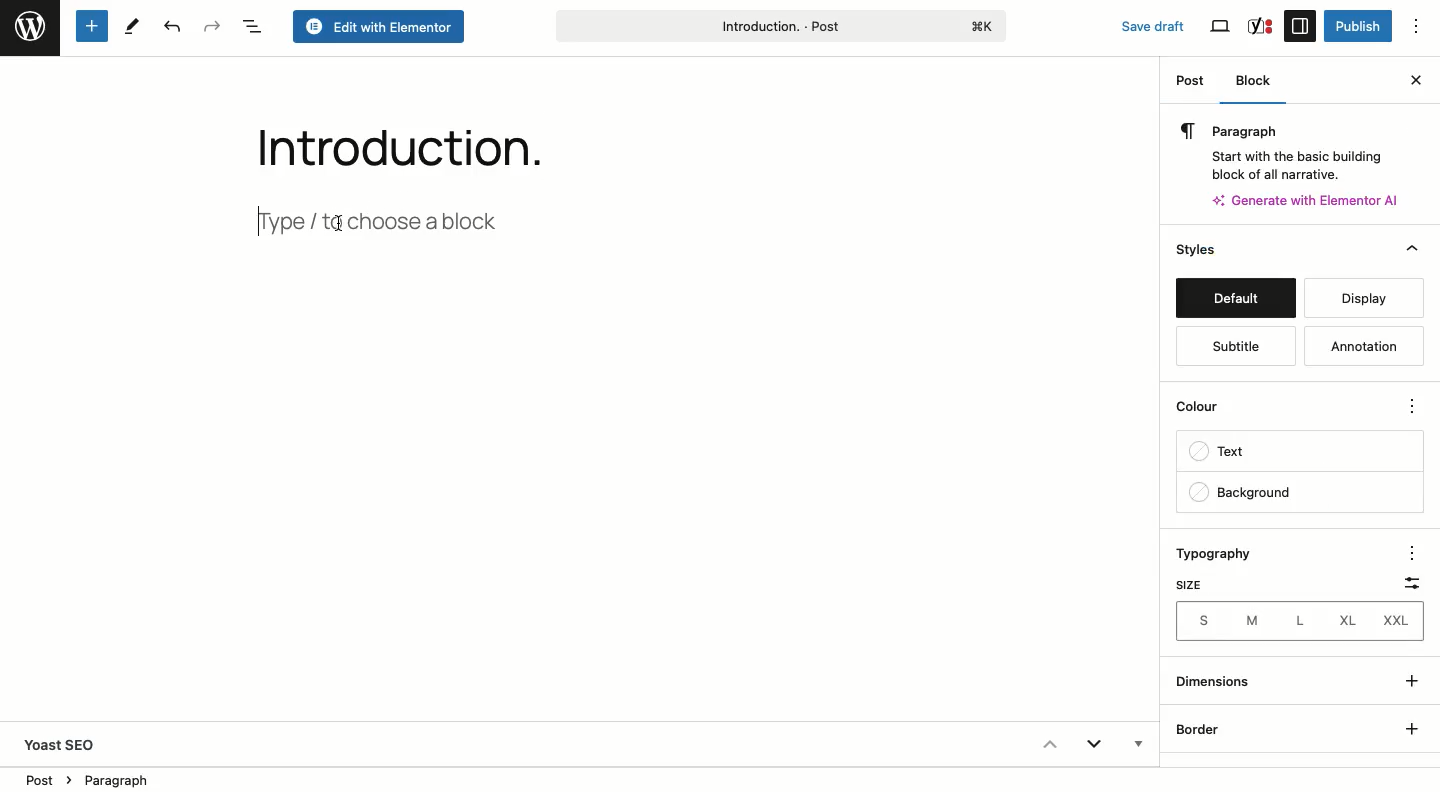 This screenshot has width=1440, height=792. Describe the element at coordinates (30, 27) in the screenshot. I see `Wordpress logo` at that location.